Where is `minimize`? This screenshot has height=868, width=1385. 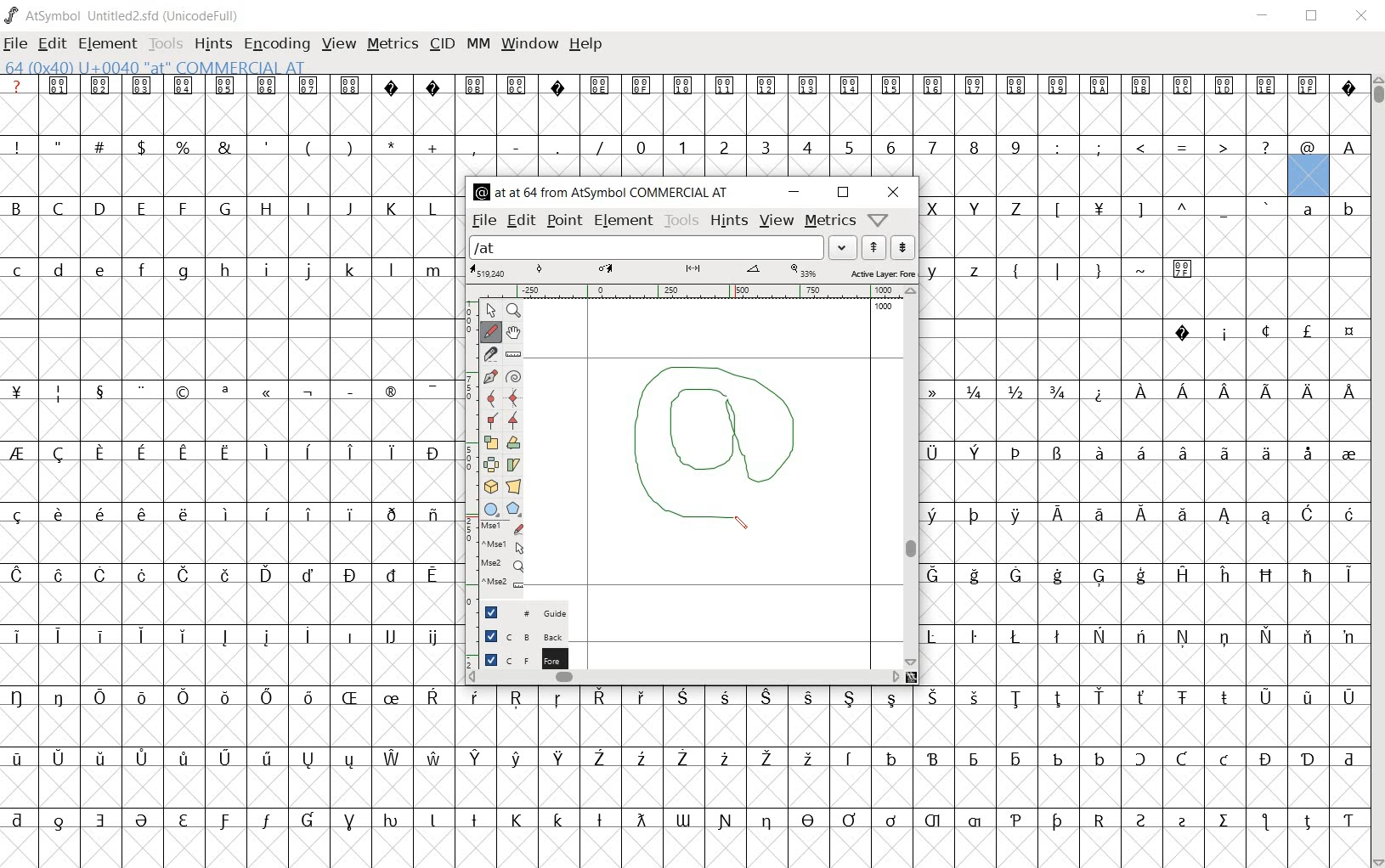
minimize is located at coordinates (794, 193).